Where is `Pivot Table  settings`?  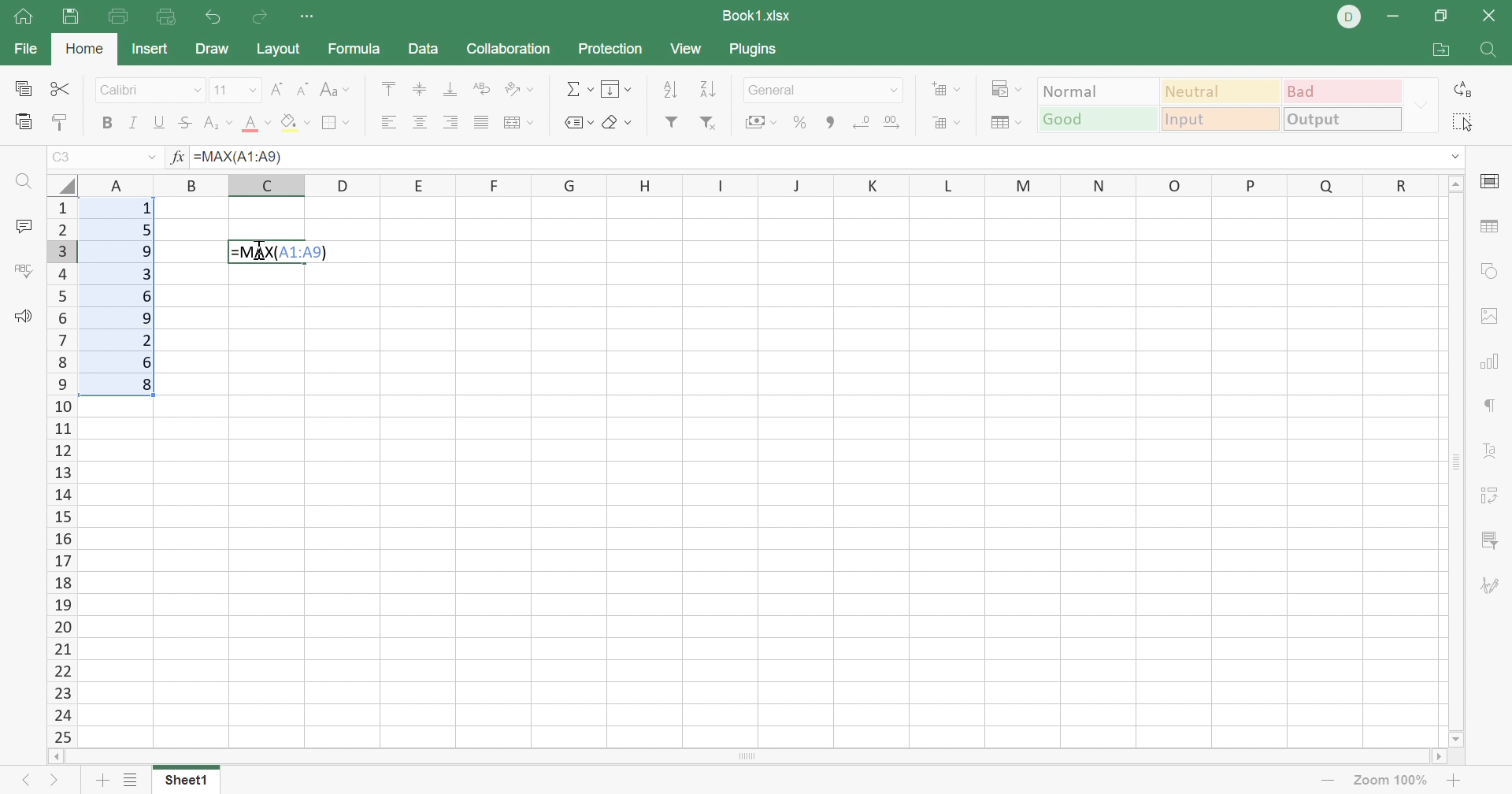
Pivot Table  settings is located at coordinates (1488, 493).